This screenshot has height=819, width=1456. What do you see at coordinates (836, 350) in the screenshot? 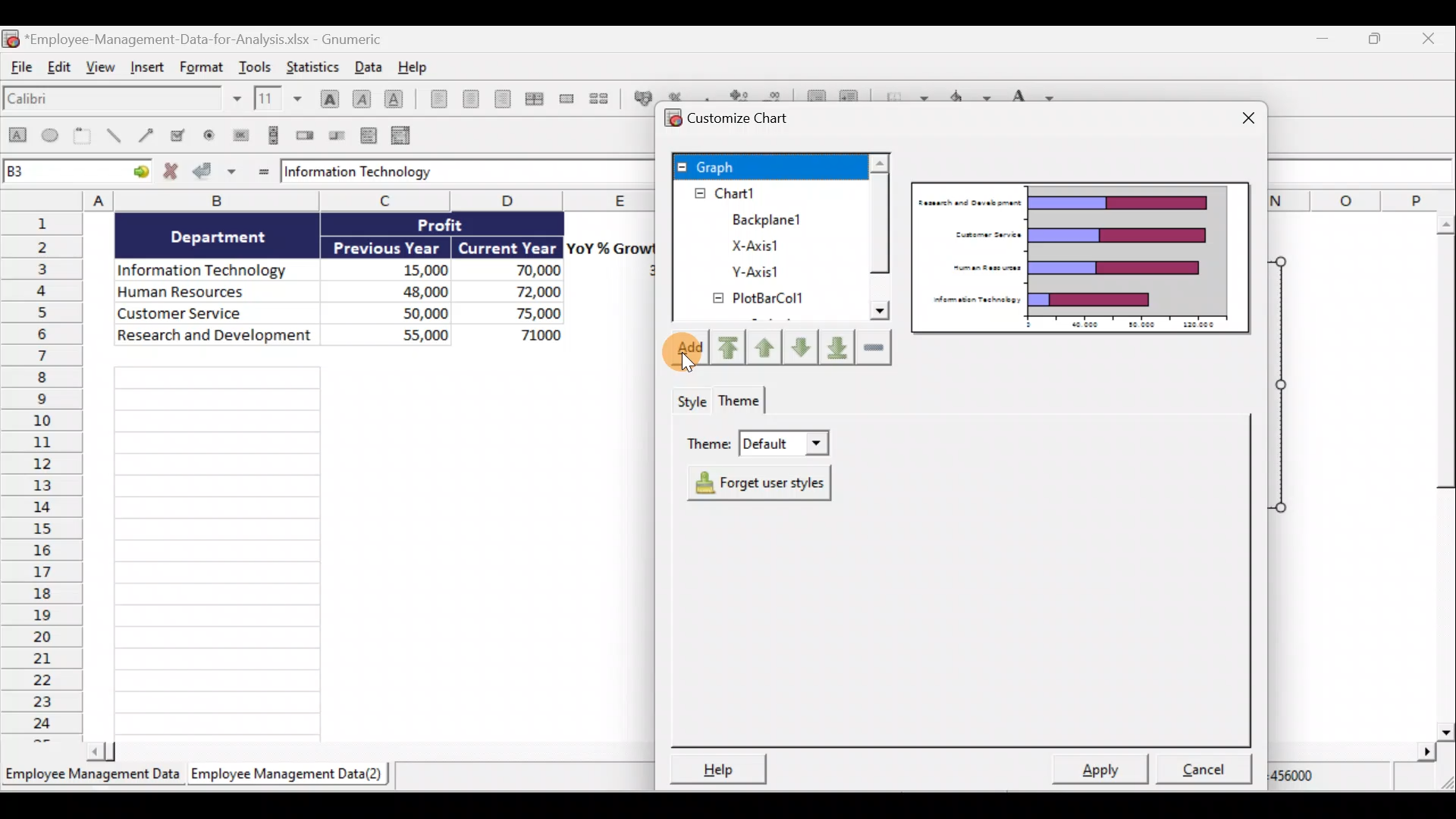
I see `Move downward` at bounding box center [836, 350].